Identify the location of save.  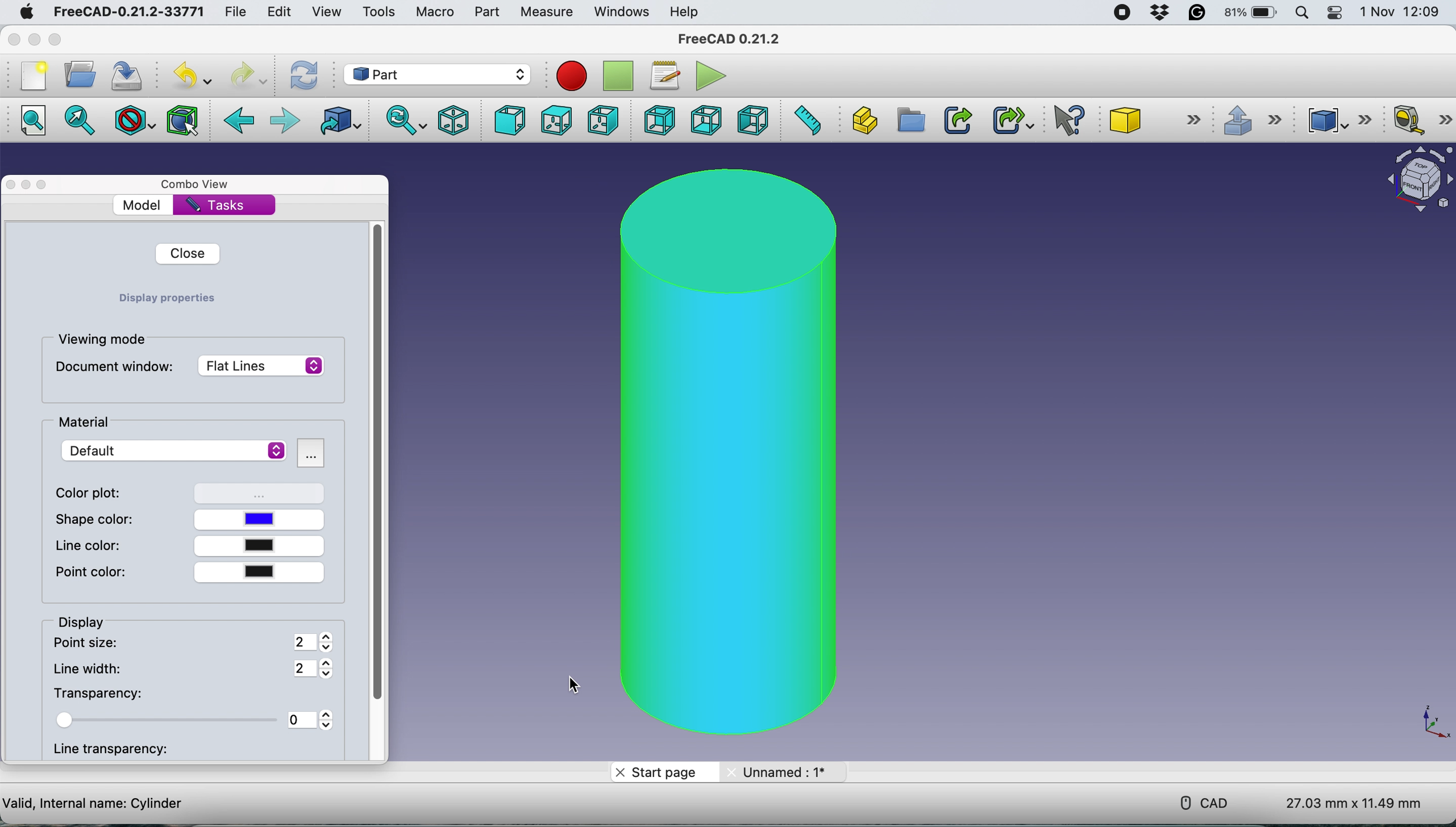
(123, 75).